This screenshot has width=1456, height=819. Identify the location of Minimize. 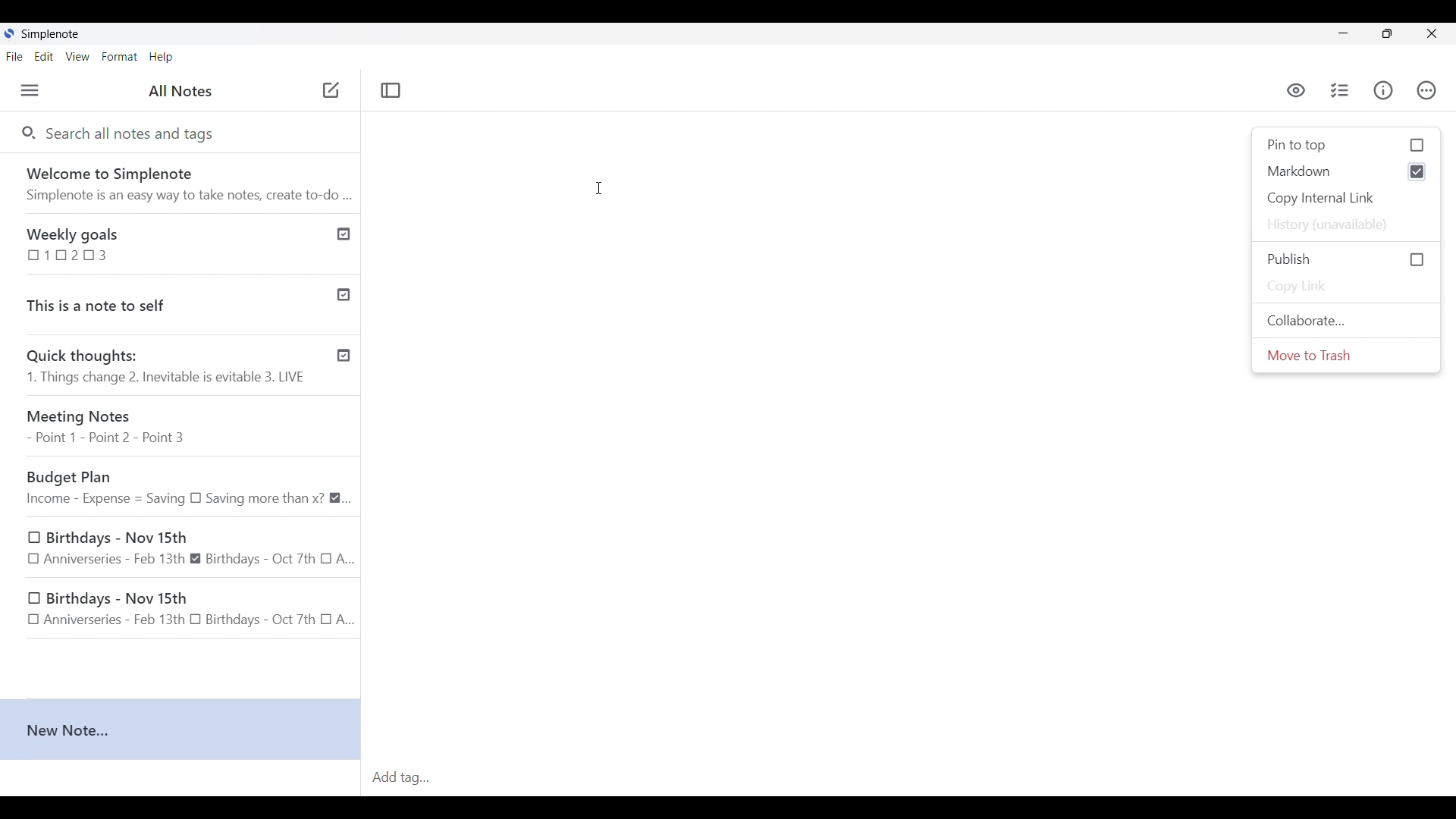
(1343, 33).